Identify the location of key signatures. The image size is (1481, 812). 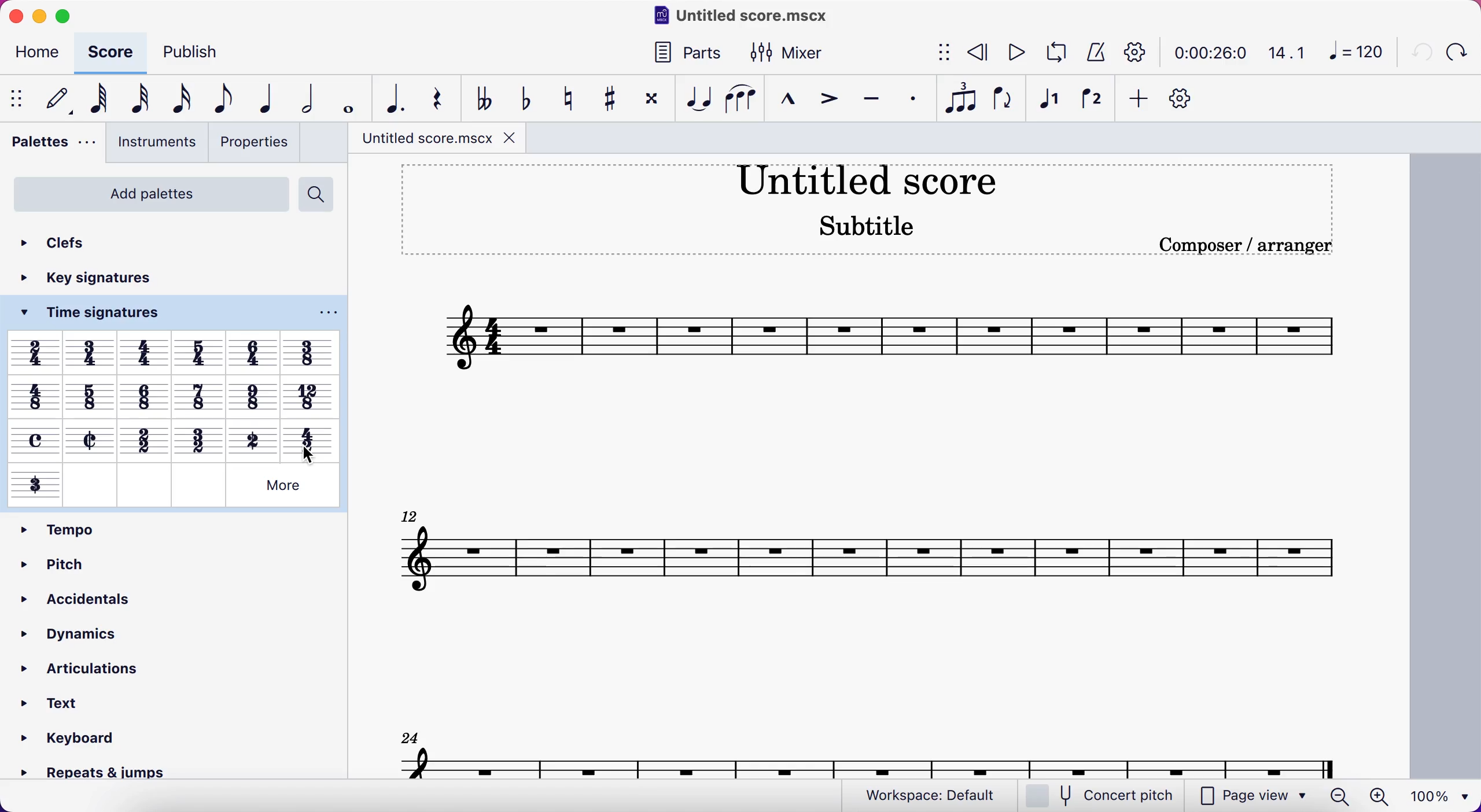
(108, 280).